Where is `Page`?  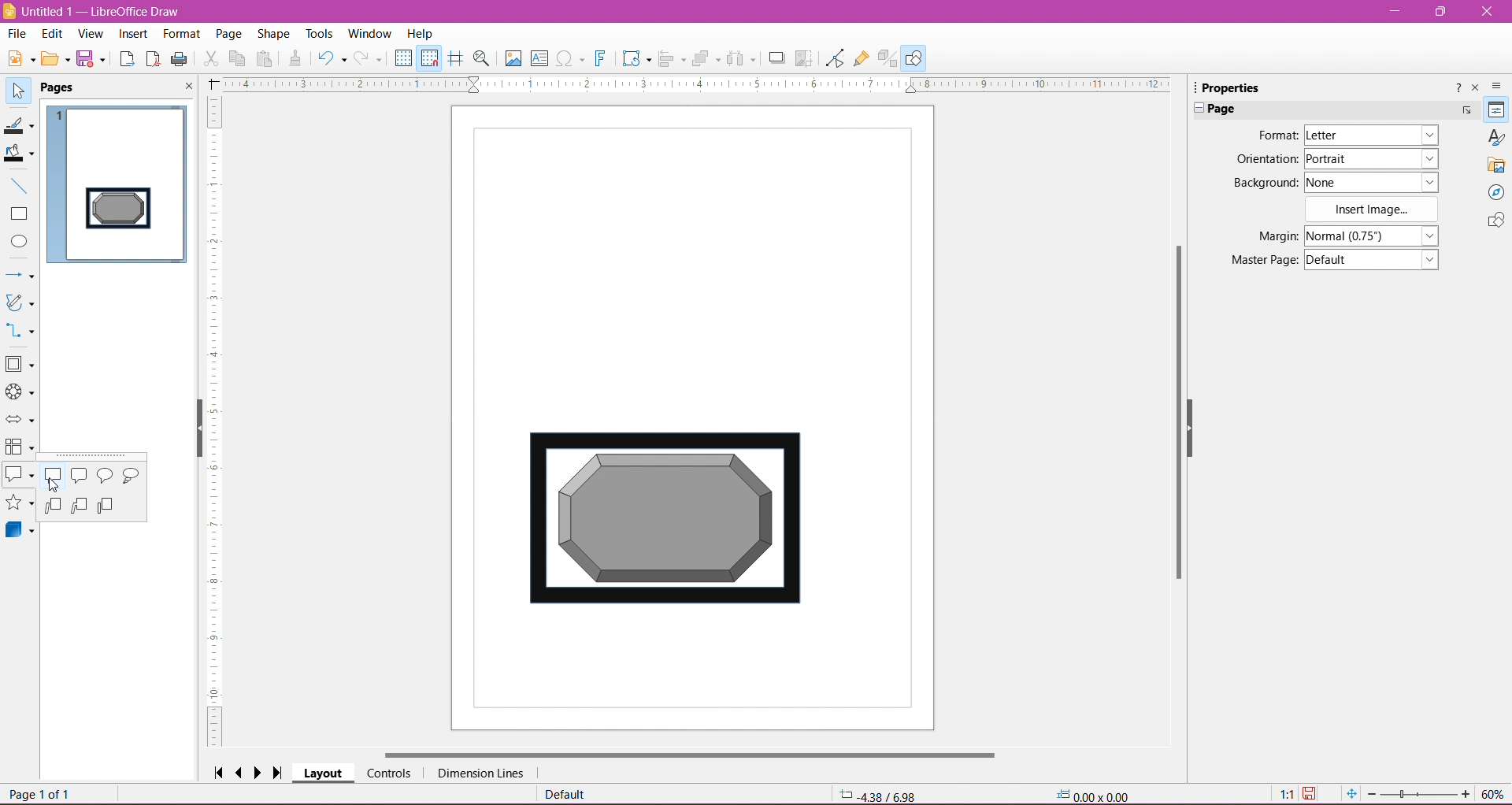
Page is located at coordinates (227, 32).